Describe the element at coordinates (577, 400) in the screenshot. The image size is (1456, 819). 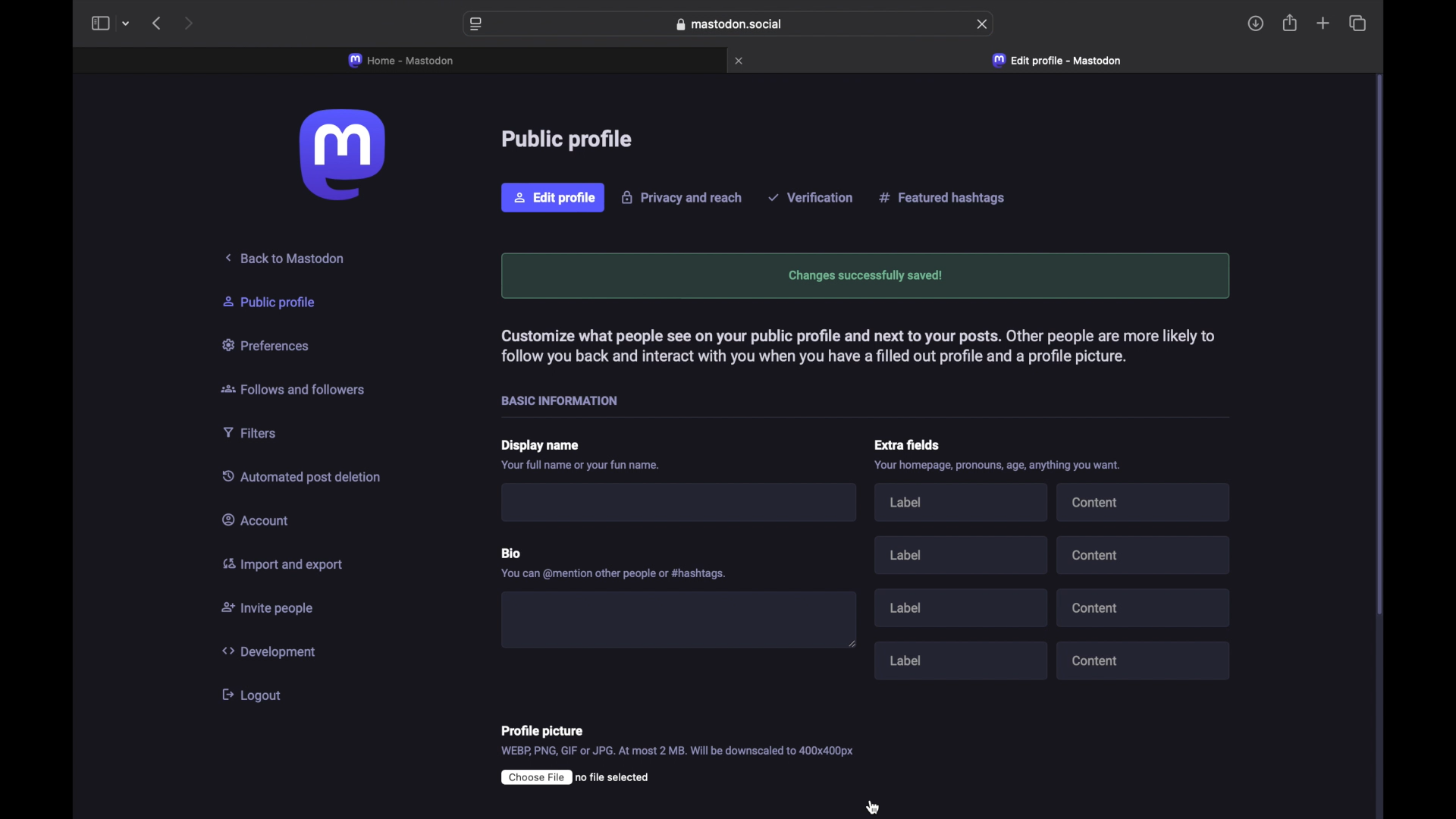
I see `- BASIC INFORMATION` at that location.